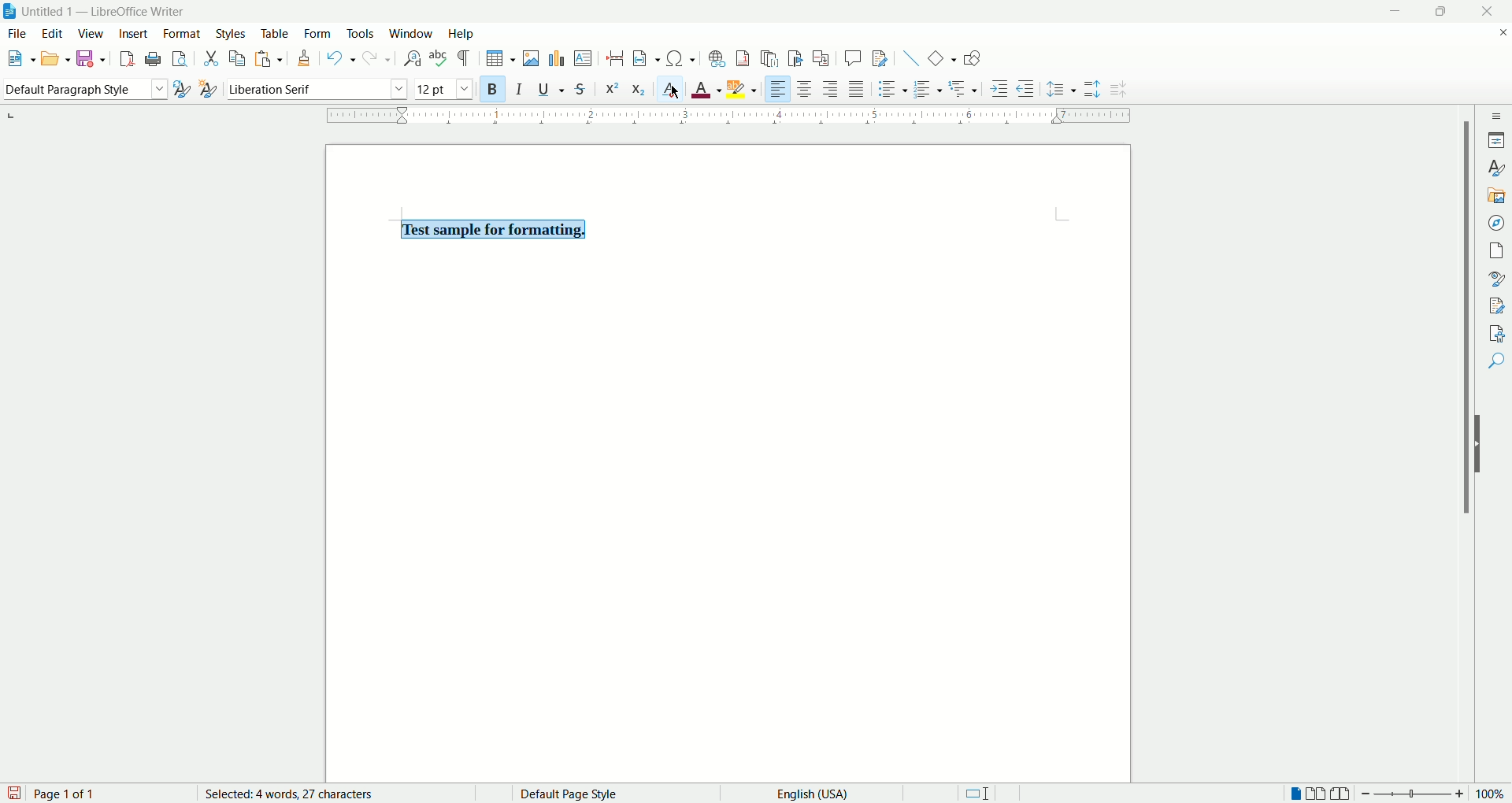  What do you see at coordinates (820, 58) in the screenshot?
I see `insert cross reference` at bounding box center [820, 58].